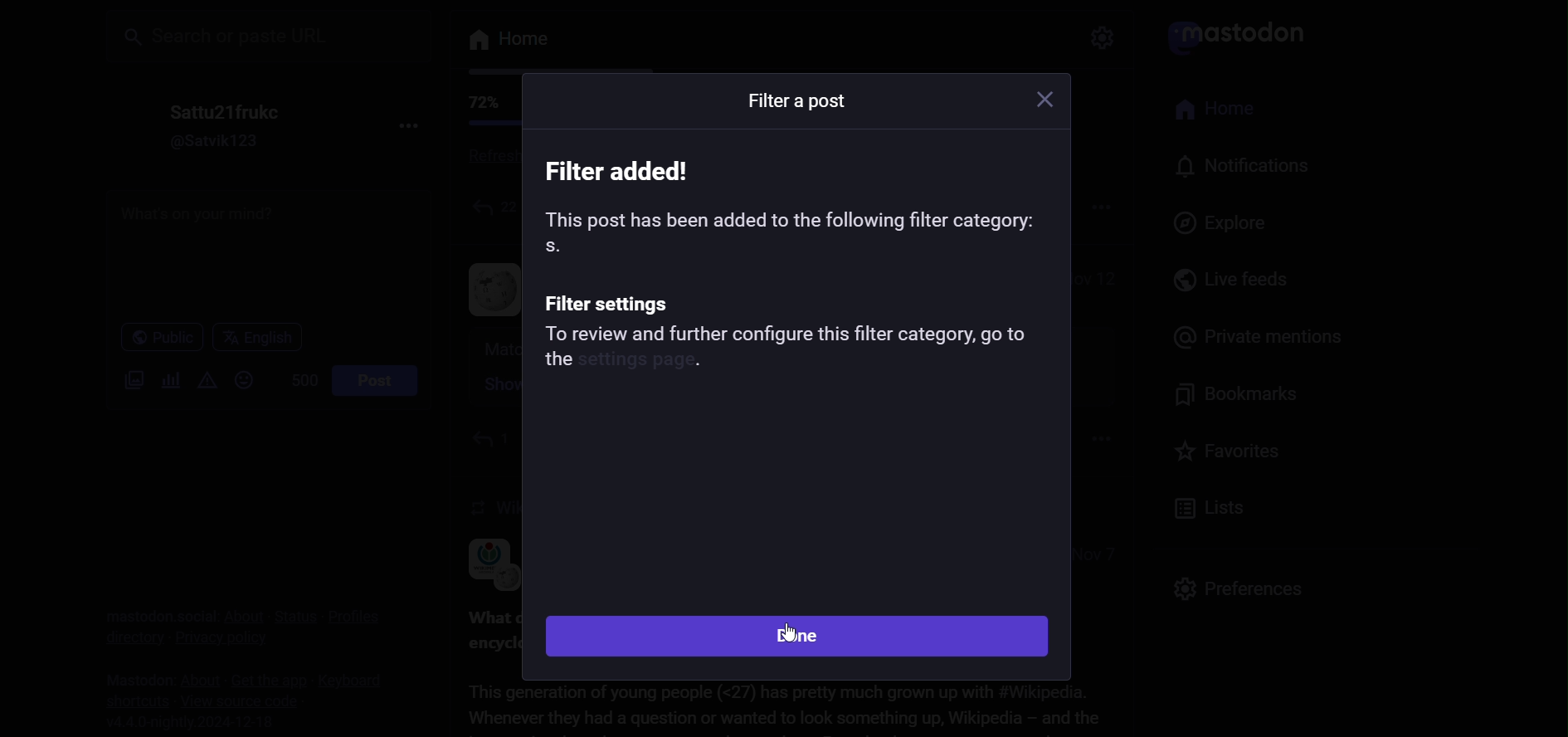 The width and height of the screenshot is (1568, 737). What do you see at coordinates (1246, 169) in the screenshot?
I see `notification` at bounding box center [1246, 169].